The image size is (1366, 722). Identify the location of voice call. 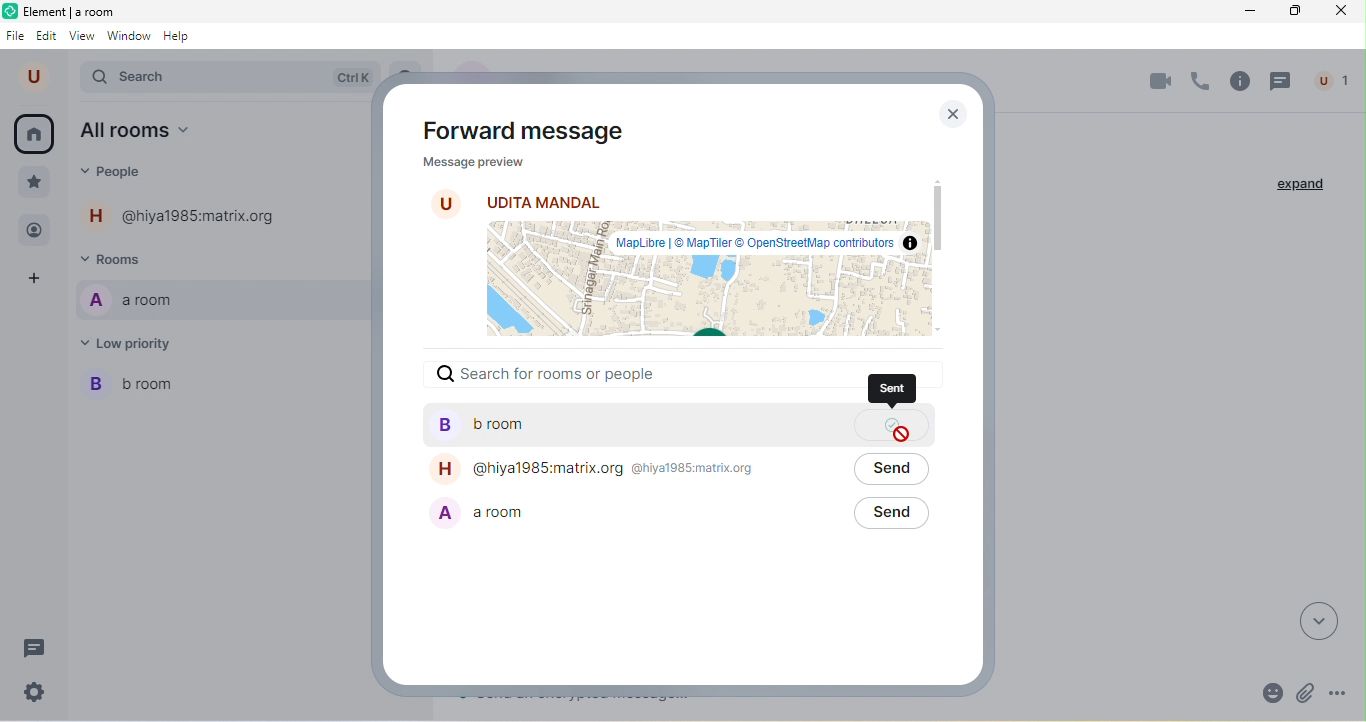
(1201, 82).